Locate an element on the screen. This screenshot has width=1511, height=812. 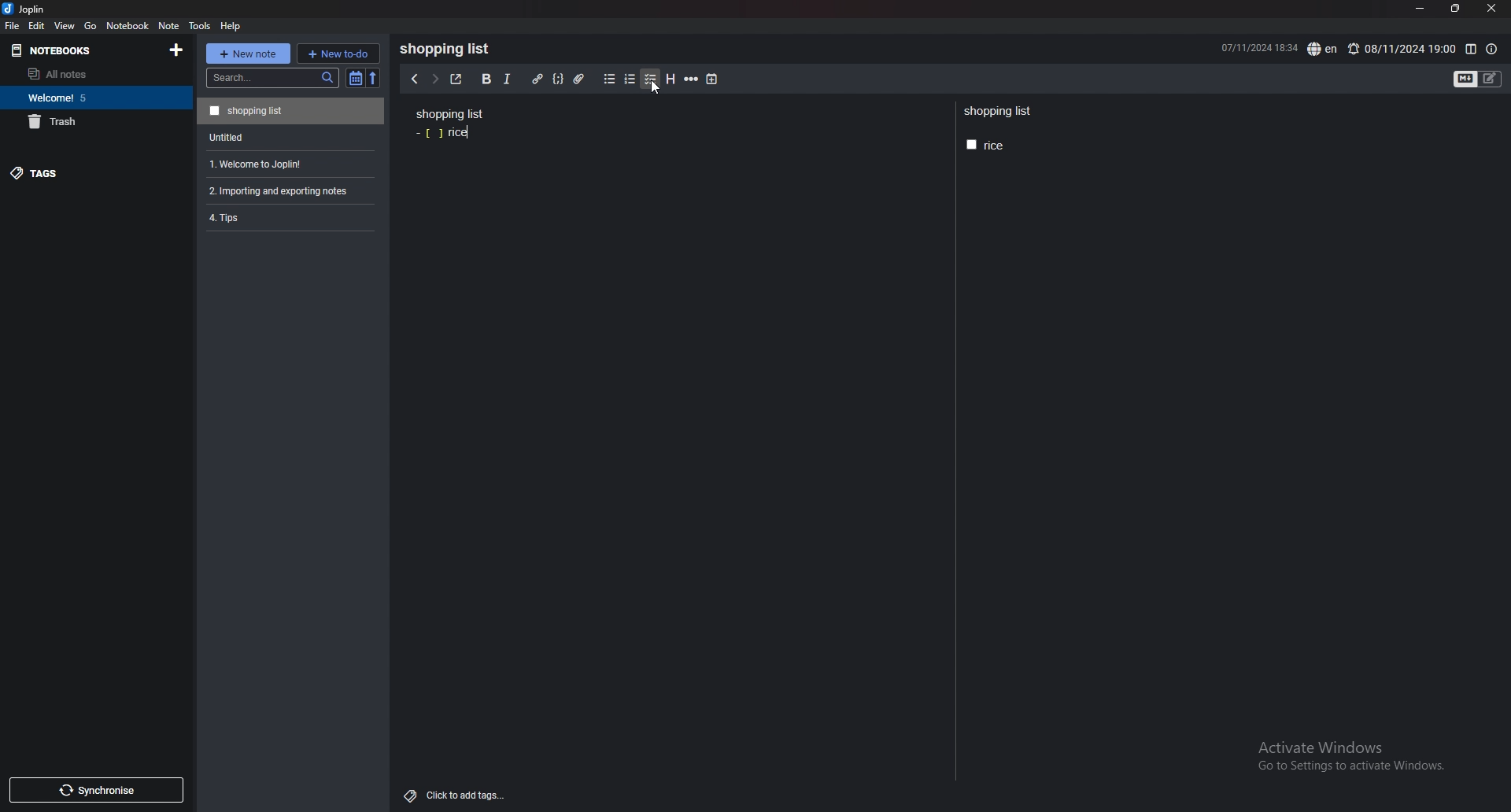
italic is located at coordinates (508, 79).